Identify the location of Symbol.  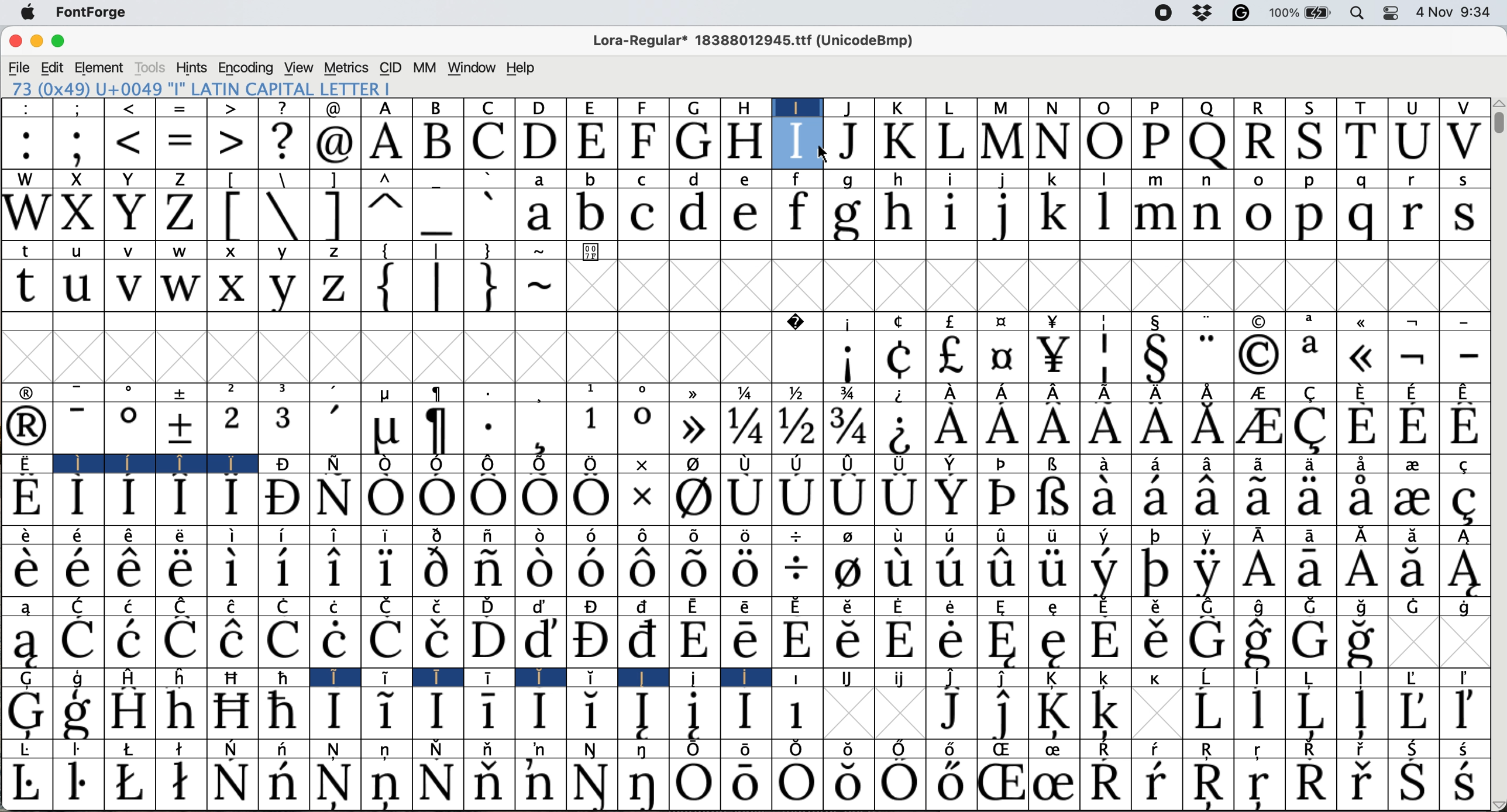
(128, 429).